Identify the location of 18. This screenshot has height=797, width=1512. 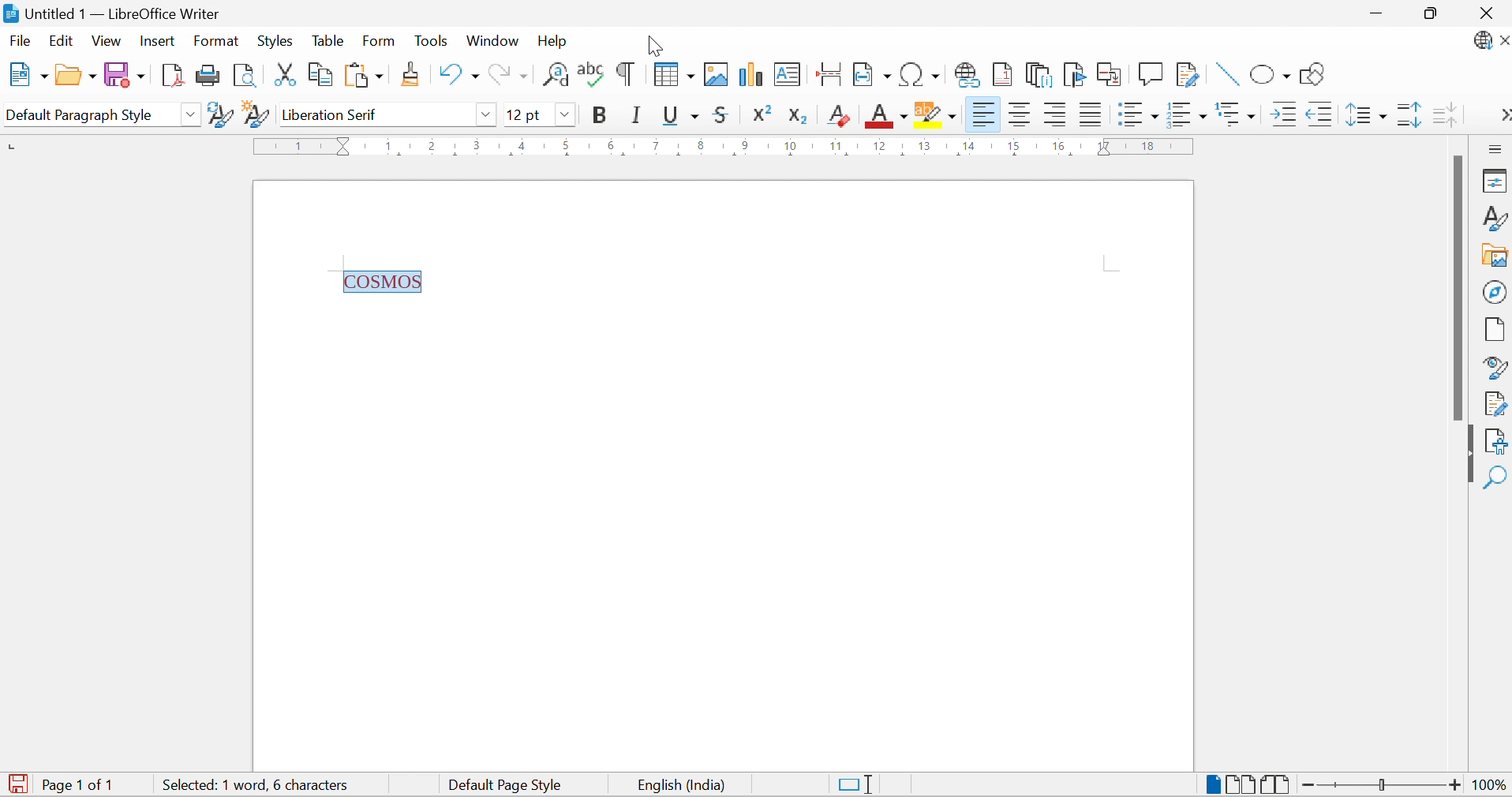
(1149, 145).